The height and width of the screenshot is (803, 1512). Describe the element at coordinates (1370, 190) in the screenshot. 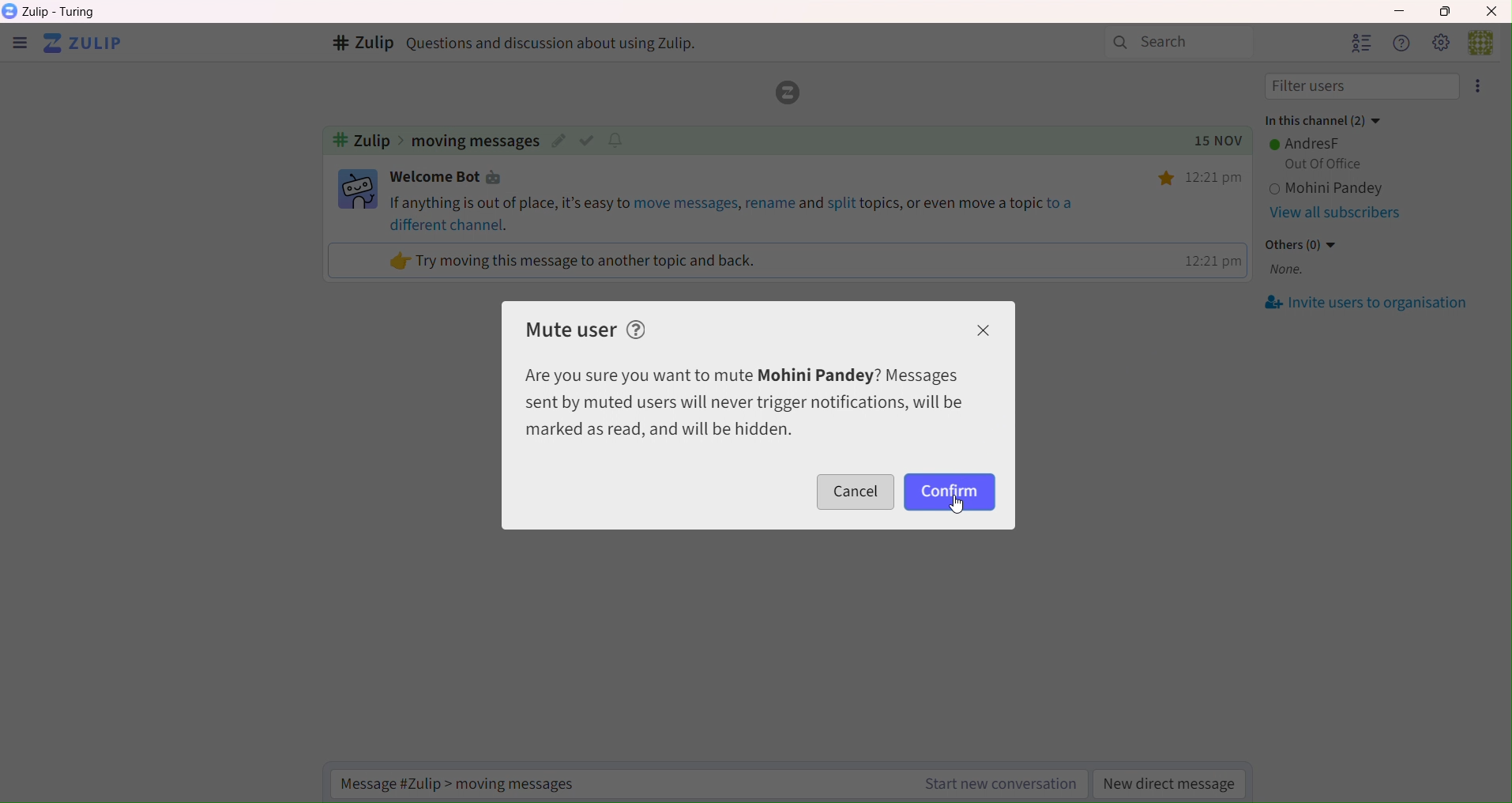

I see `Mohini Pandey ` at that location.